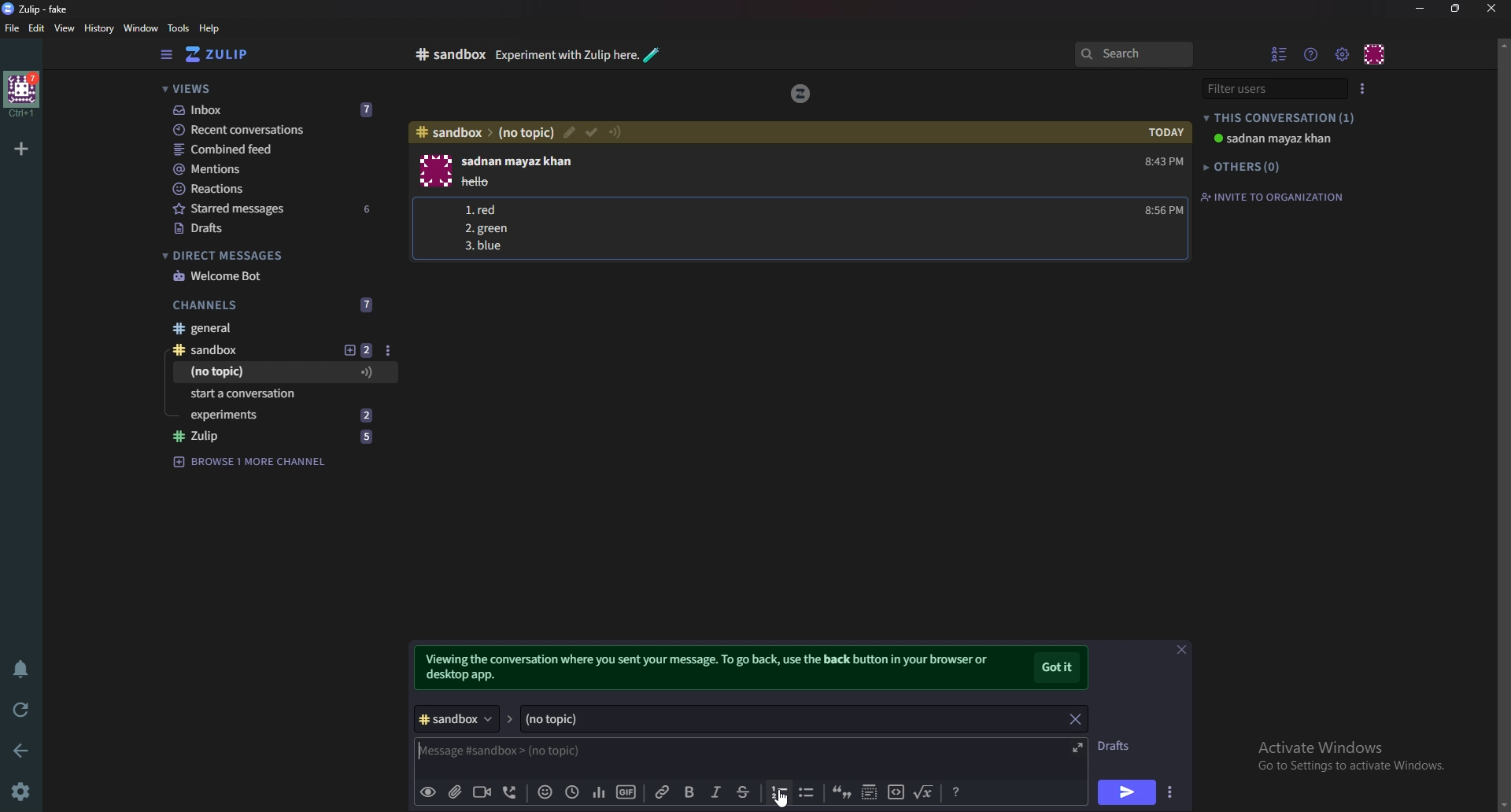 Image resolution: width=1511 pixels, height=812 pixels. I want to click on Bullet list, so click(806, 793).